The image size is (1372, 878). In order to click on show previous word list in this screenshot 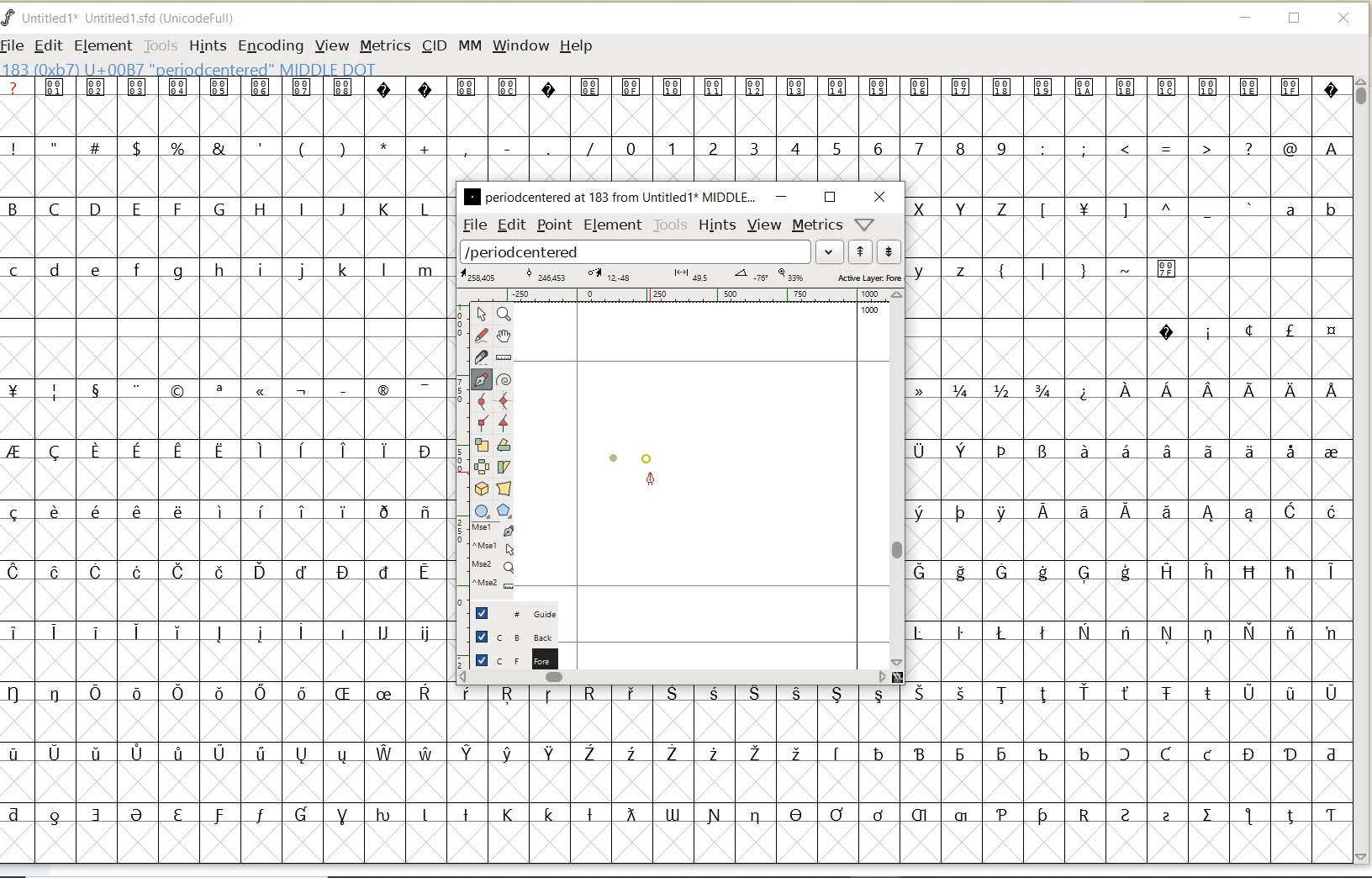, I will do `click(862, 252)`.